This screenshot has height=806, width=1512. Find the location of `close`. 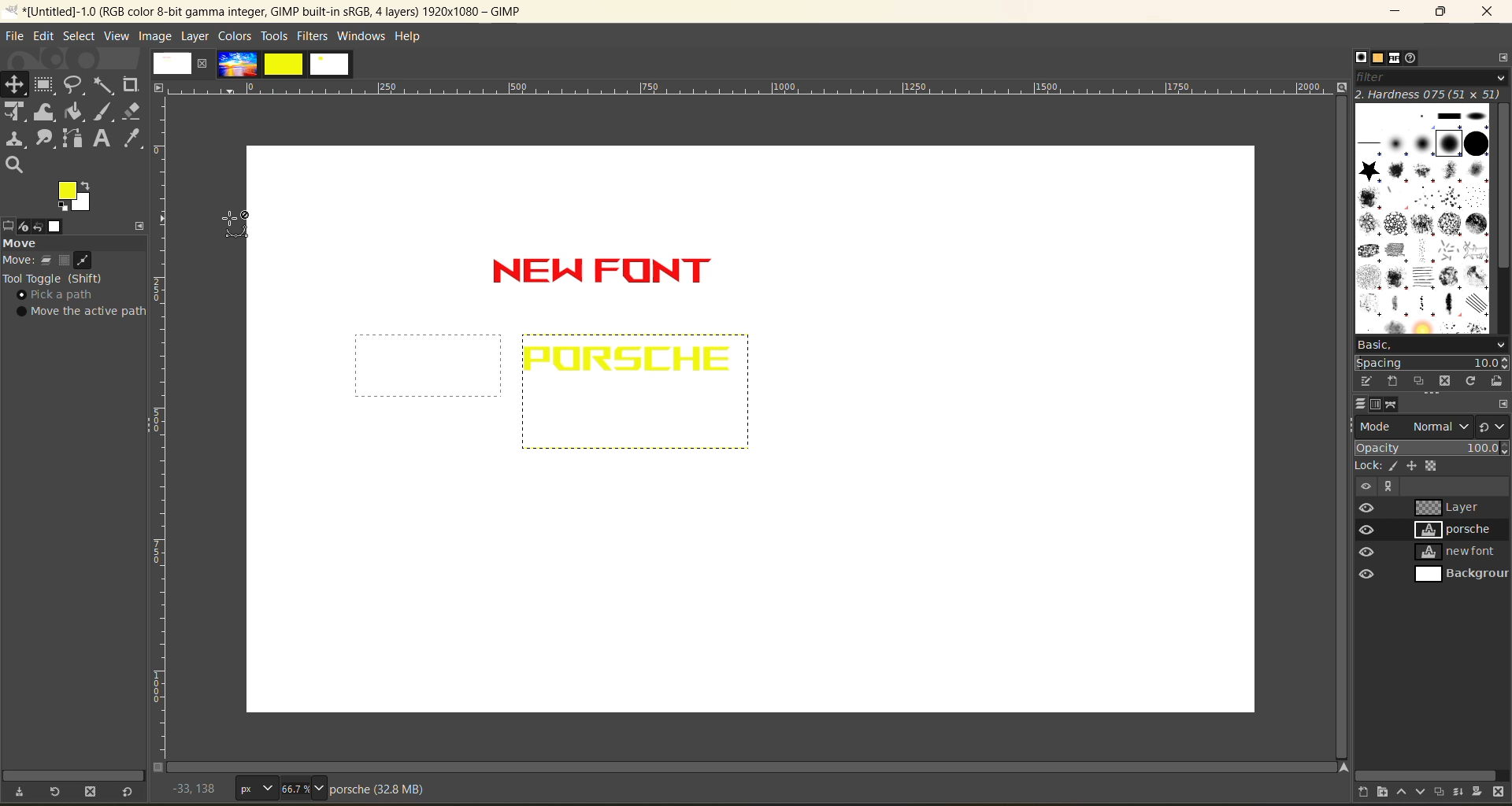

close is located at coordinates (202, 63).